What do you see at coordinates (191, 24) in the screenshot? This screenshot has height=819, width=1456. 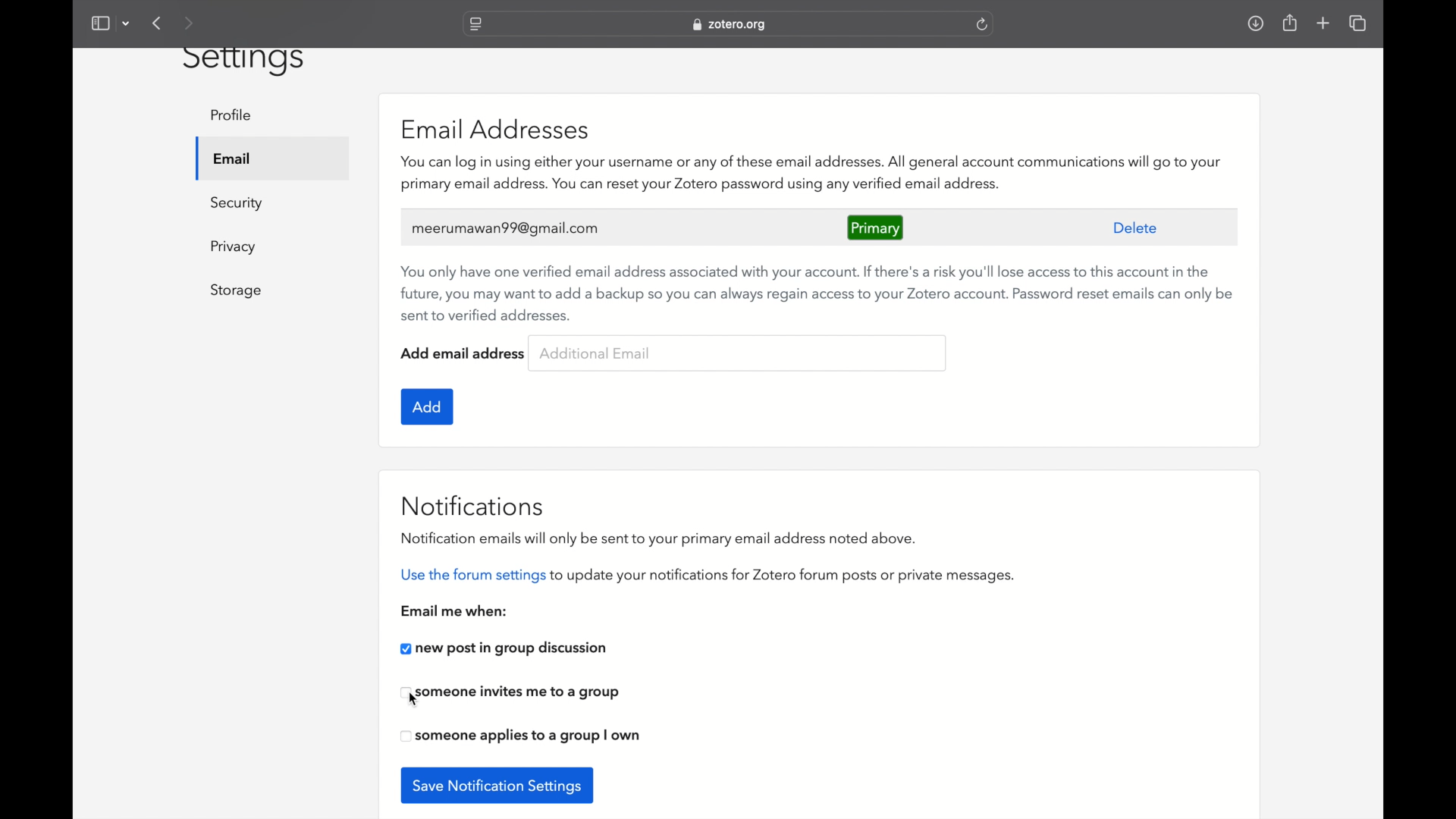 I see `next` at bounding box center [191, 24].